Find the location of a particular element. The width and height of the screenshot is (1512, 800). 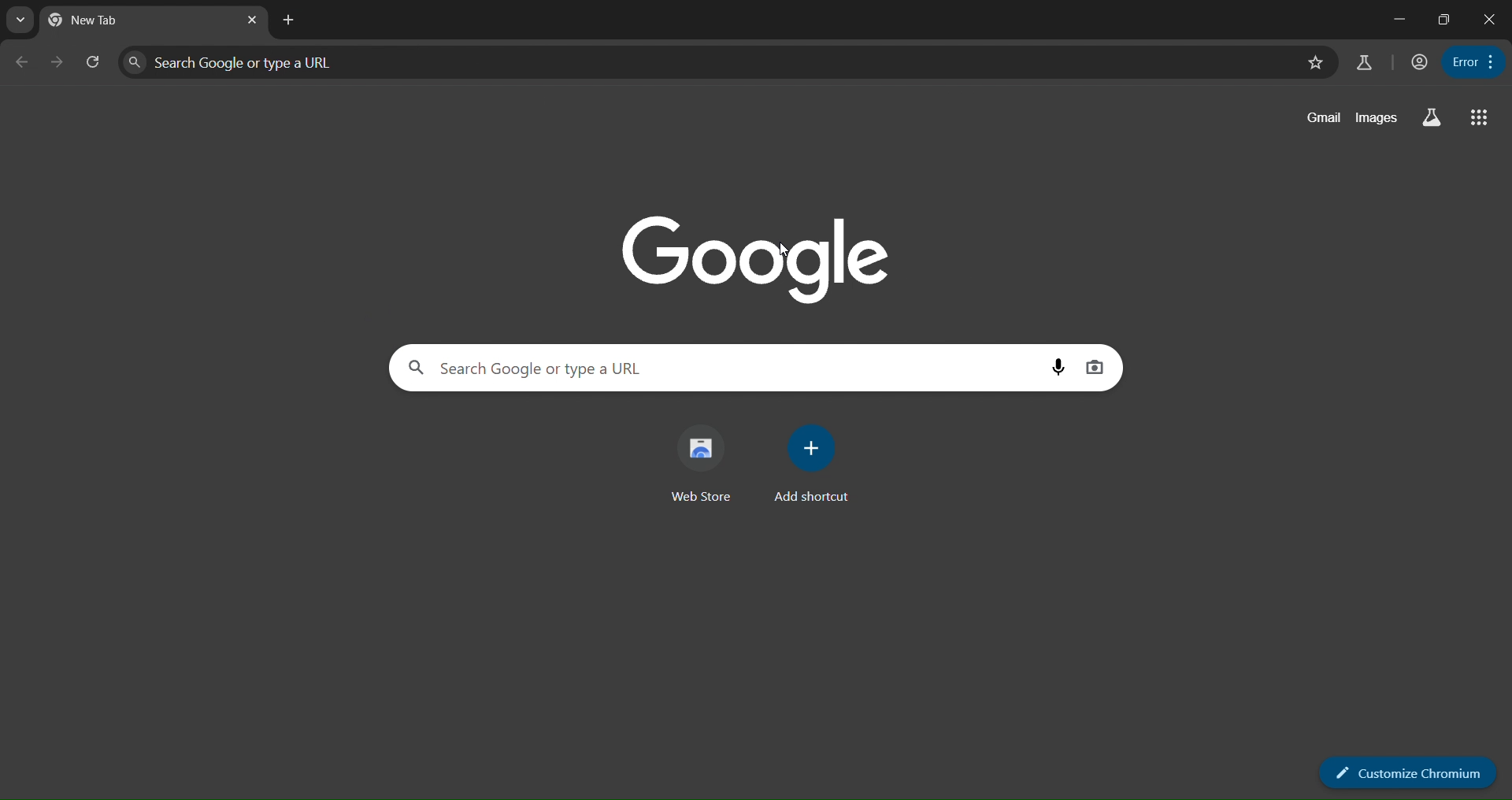

close is located at coordinates (1490, 17).